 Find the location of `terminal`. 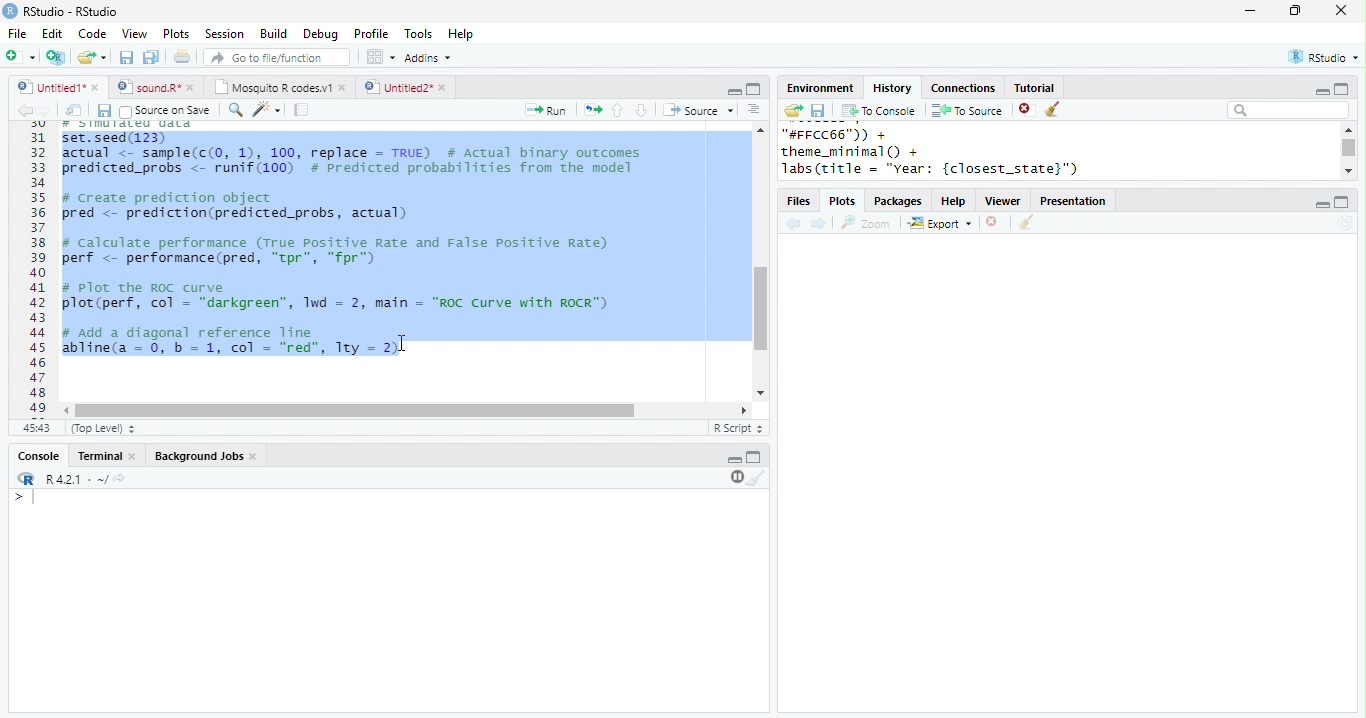

terminal is located at coordinates (97, 457).